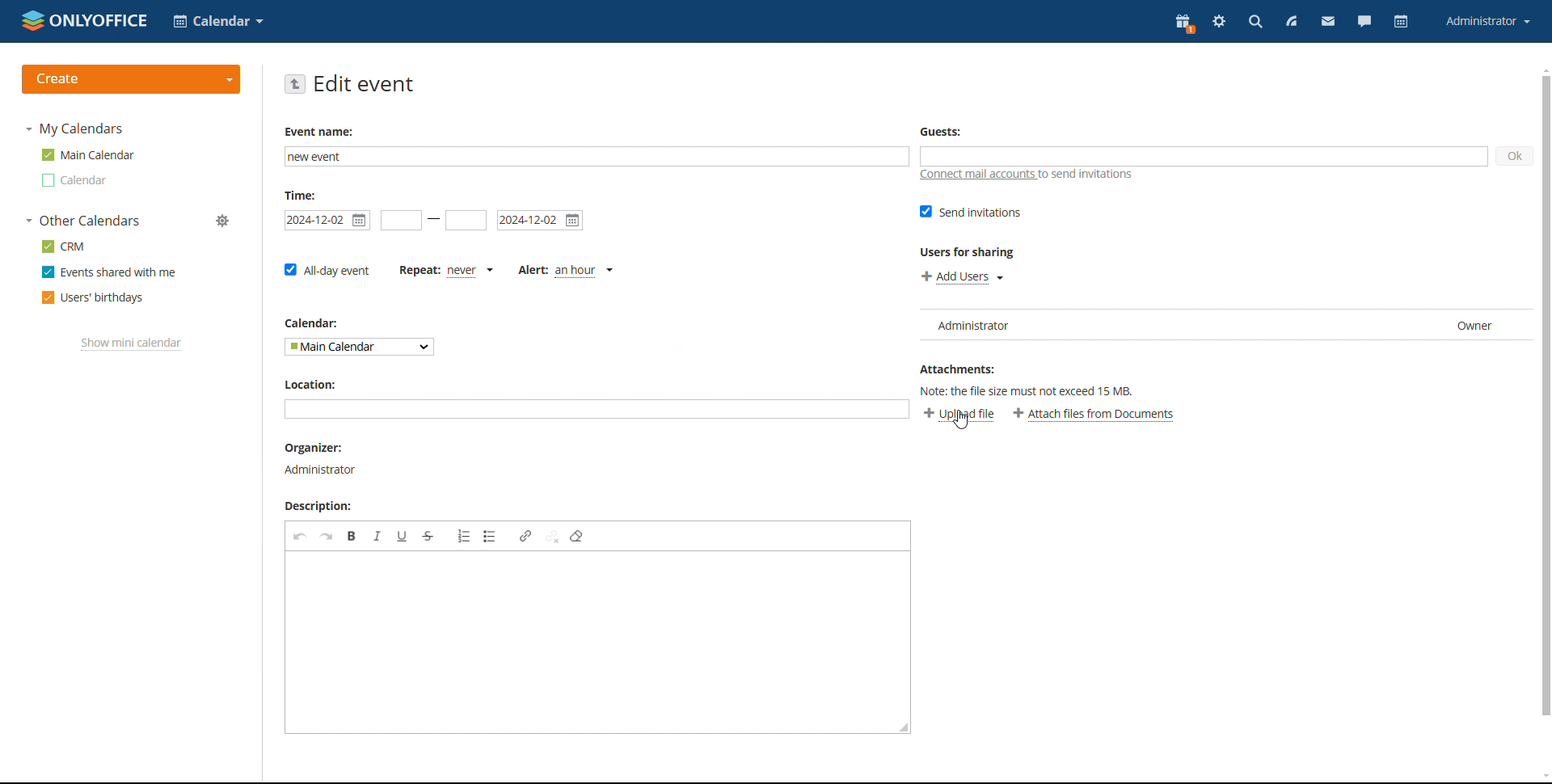 This screenshot has width=1552, height=784. I want to click on end date, so click(540, 221).